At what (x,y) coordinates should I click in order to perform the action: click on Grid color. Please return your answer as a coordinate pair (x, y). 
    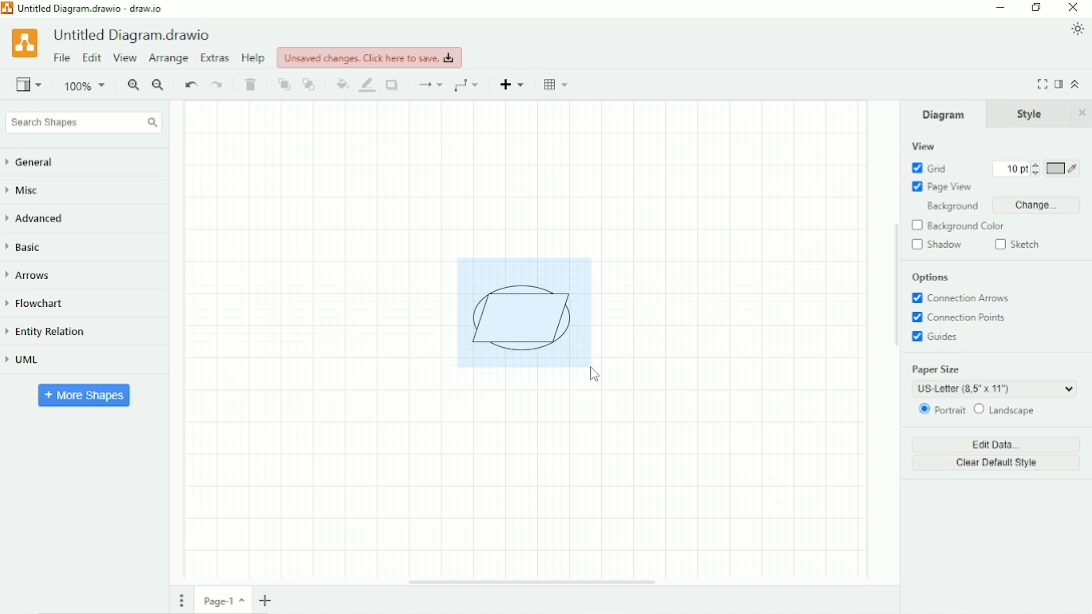
    Looking at the image, I should click on (1063, 169).